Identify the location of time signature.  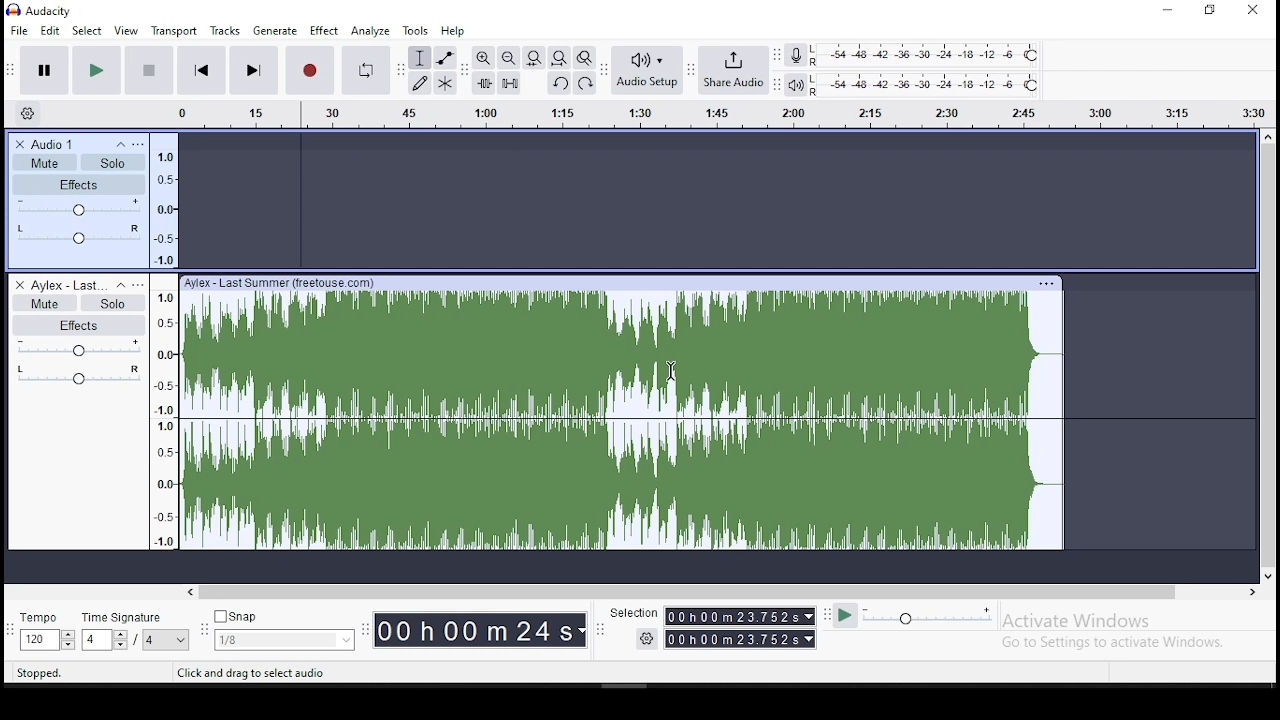
(137, 632).